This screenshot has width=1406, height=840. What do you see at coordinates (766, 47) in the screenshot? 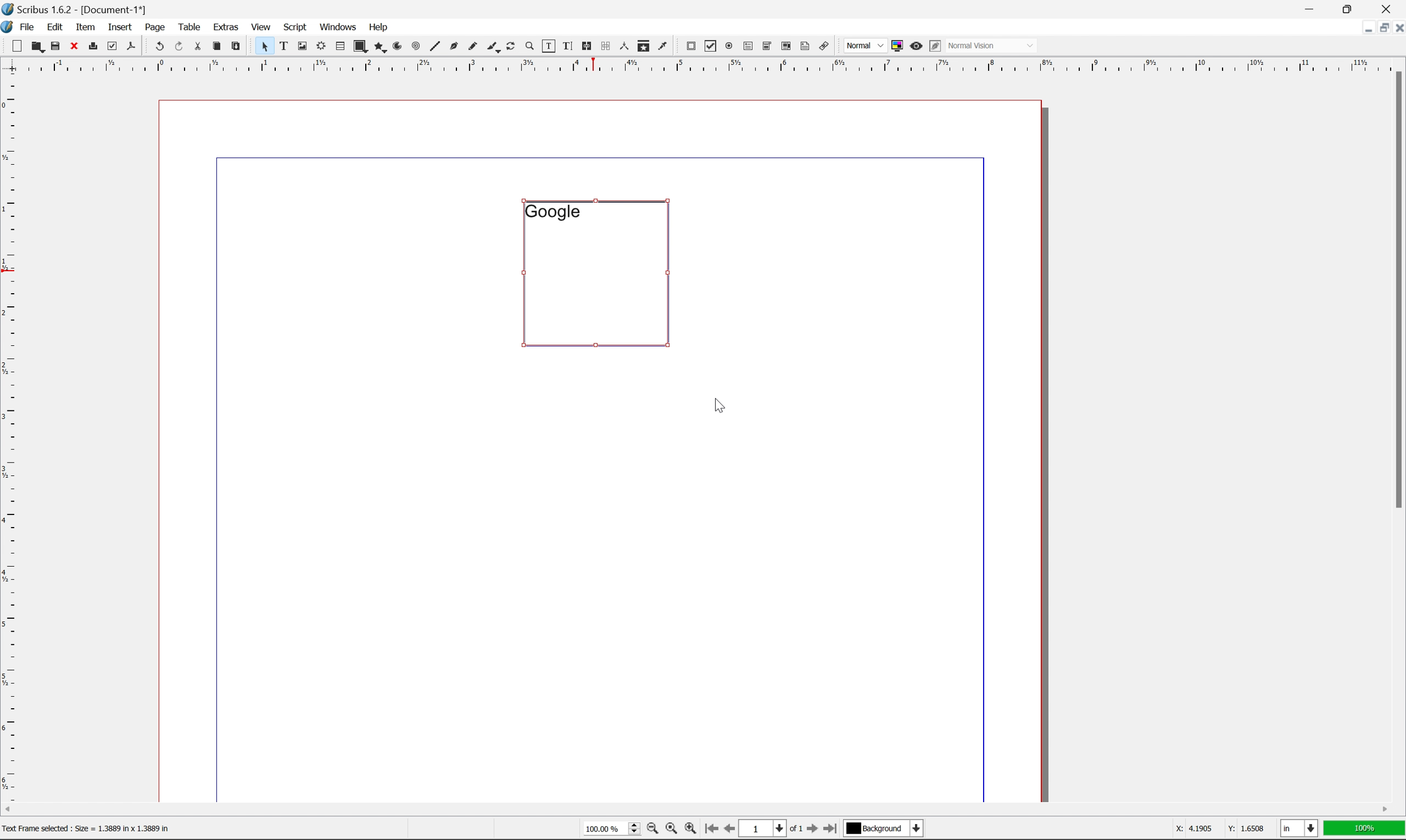
I see `pdf combo box` at bounding box center [766, 47].